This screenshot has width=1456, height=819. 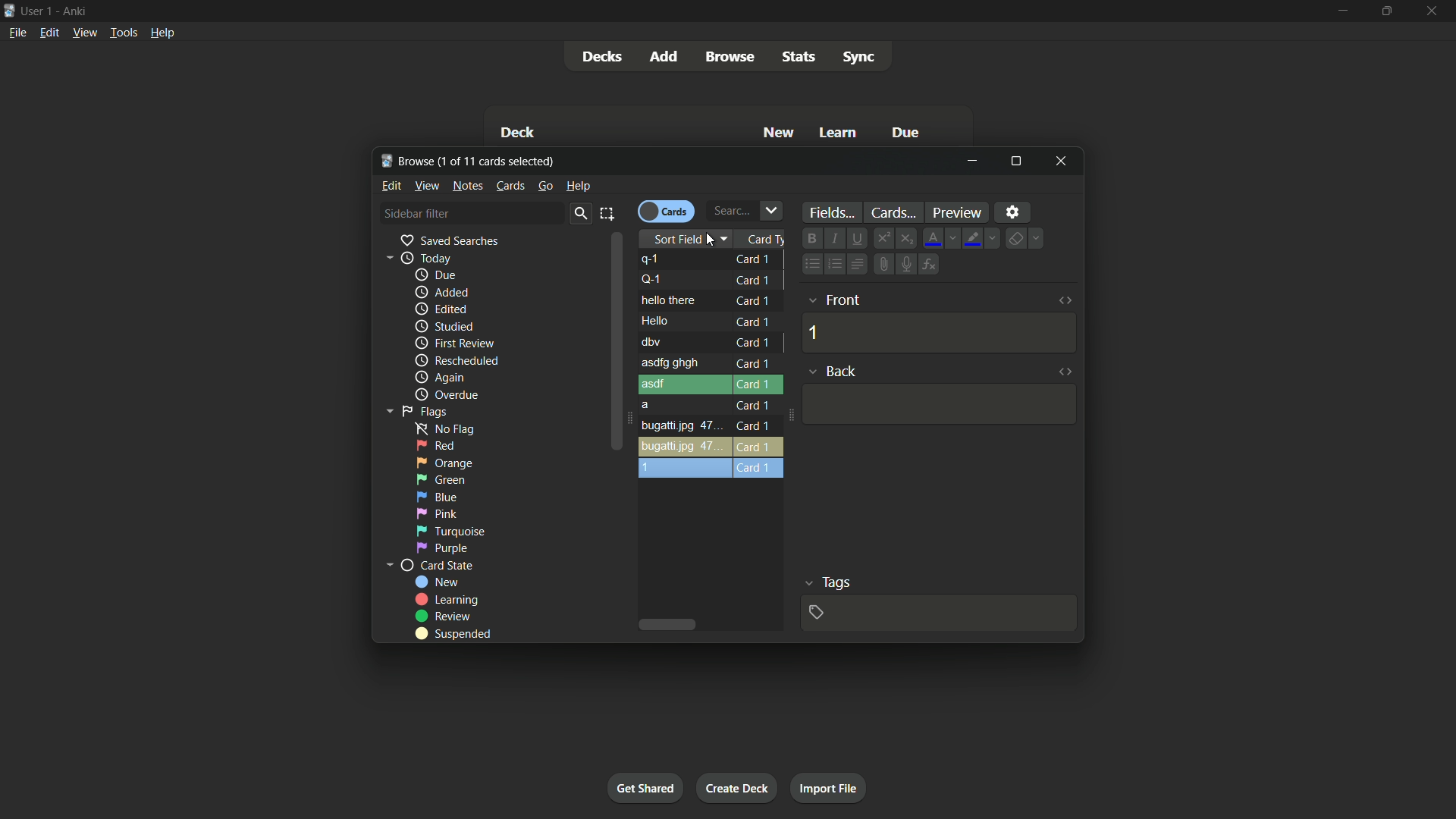 What do you see at coordinates (124, 33) in the screenshot?
I see `tools menu` at bounding box center [124, 33].